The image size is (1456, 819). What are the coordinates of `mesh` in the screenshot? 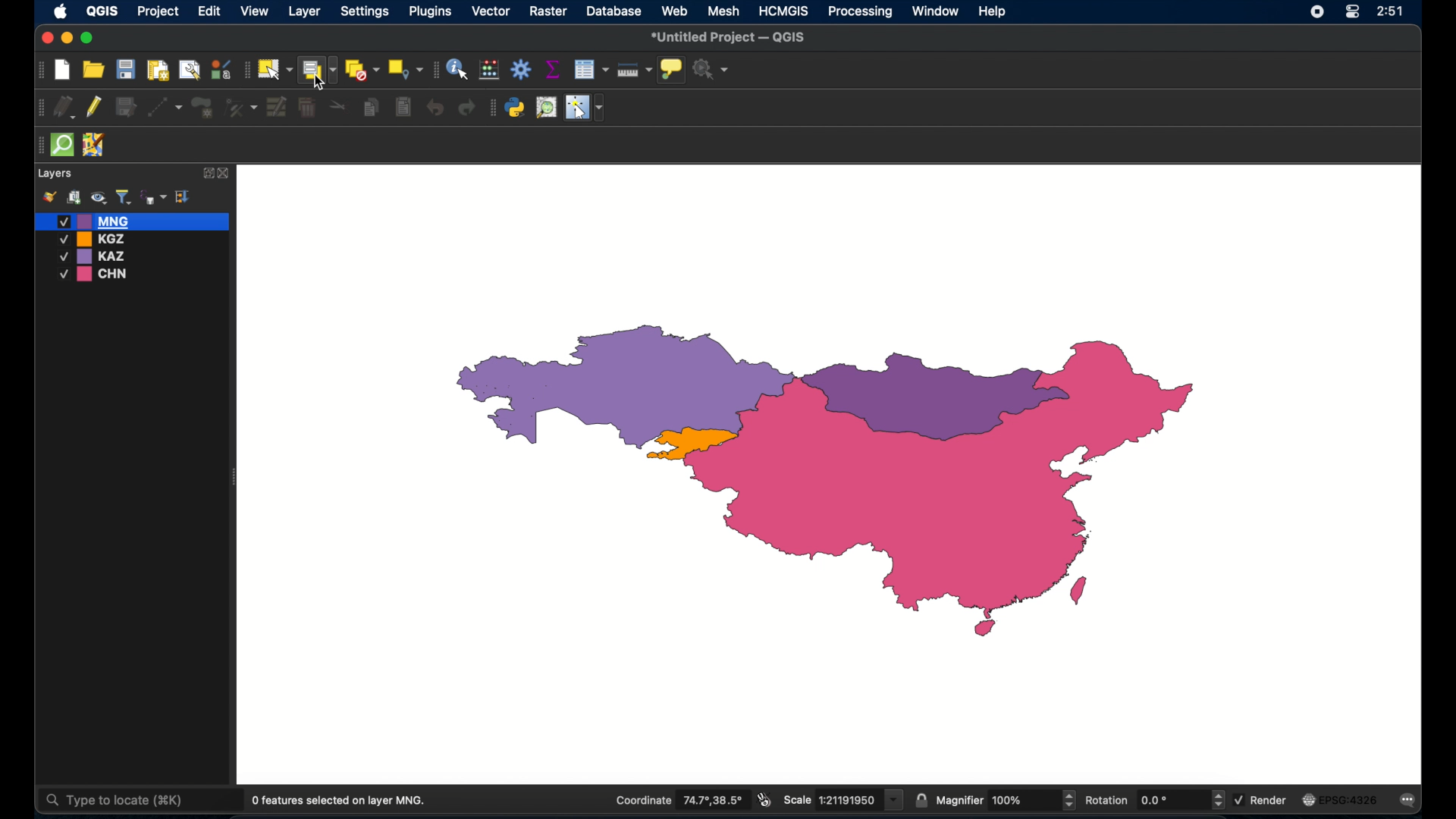 It's located at (725, 11).